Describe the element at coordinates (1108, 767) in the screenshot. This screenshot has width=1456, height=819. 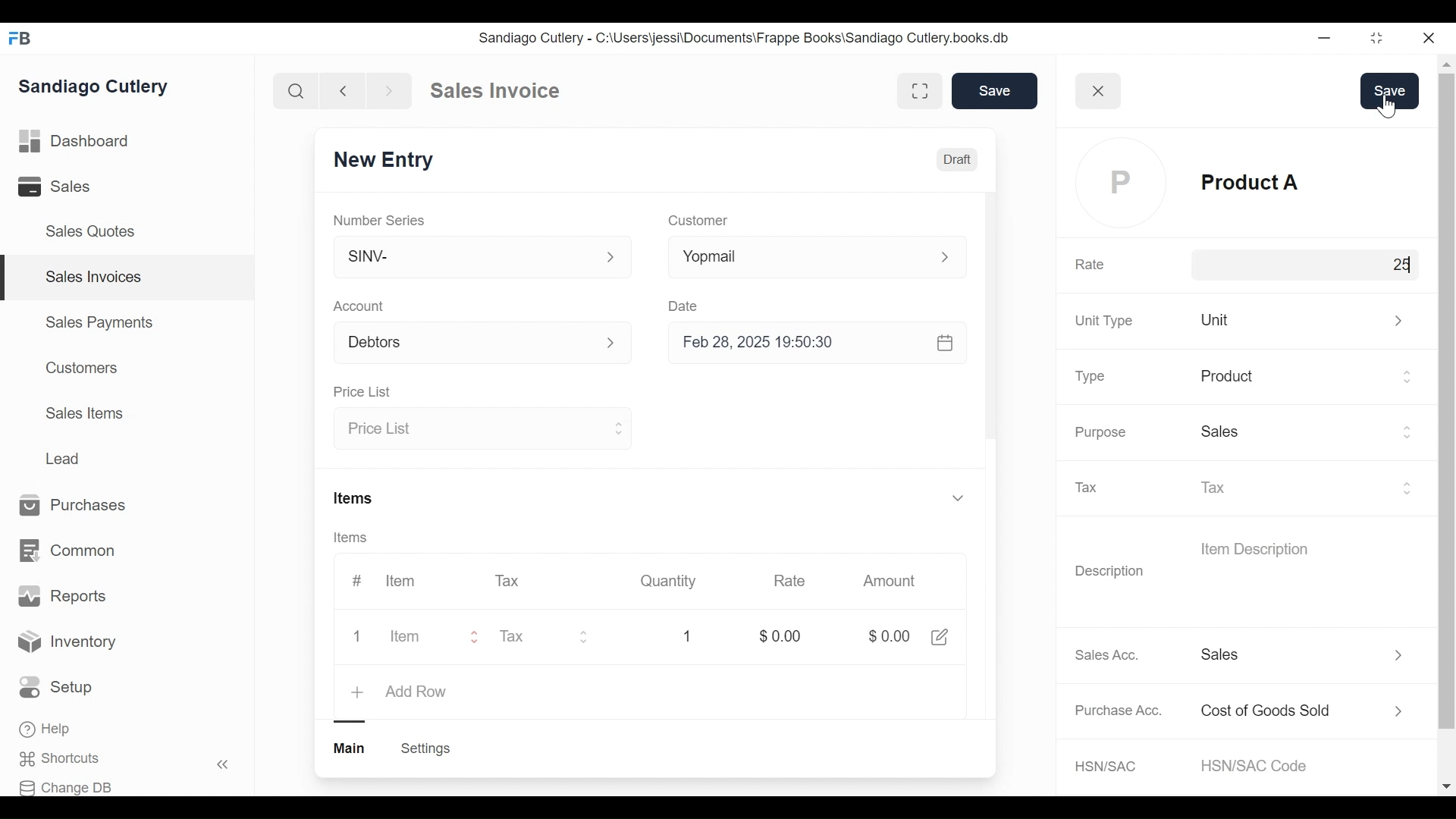
I see `HSN/SAC` at that location.